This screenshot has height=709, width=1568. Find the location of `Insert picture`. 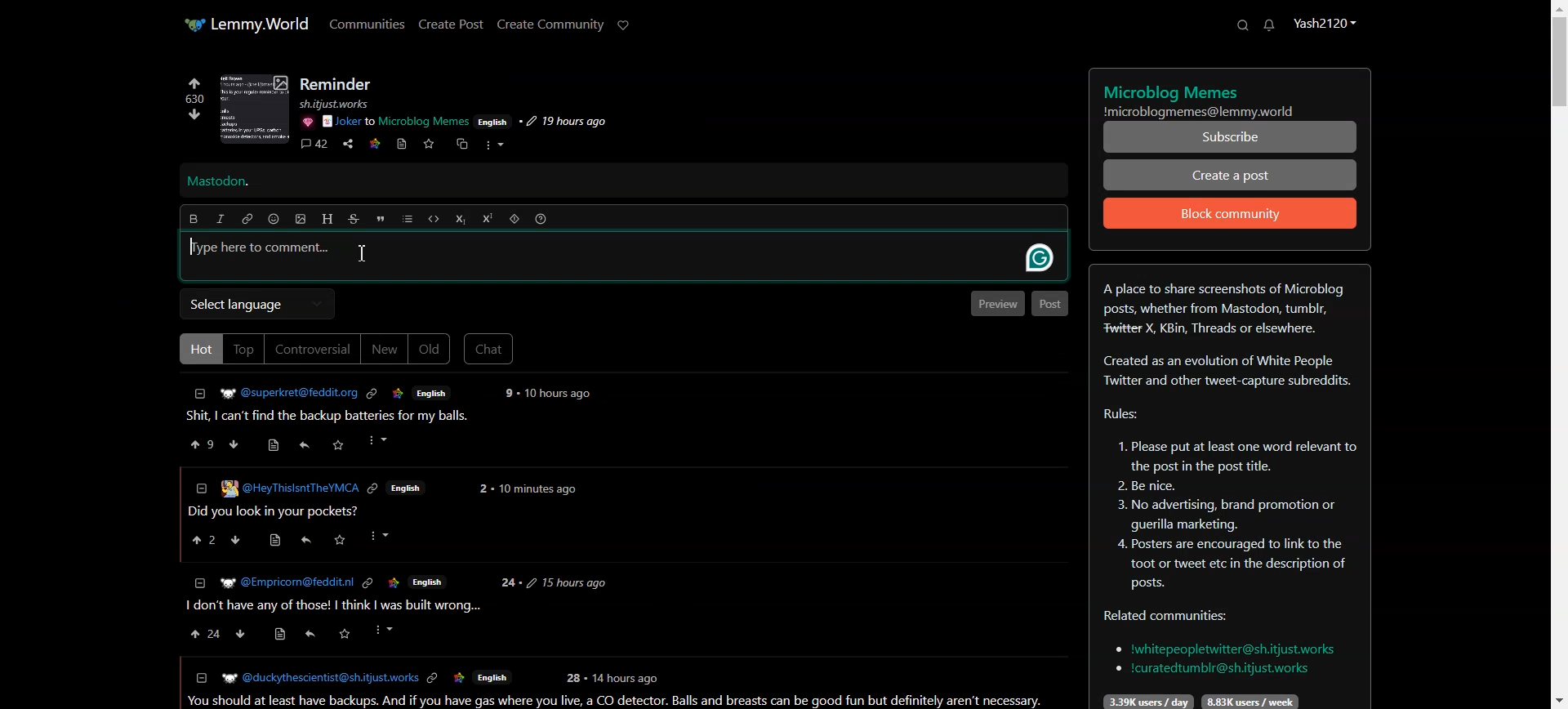

Insert picture is located at coordinates (301, 220).